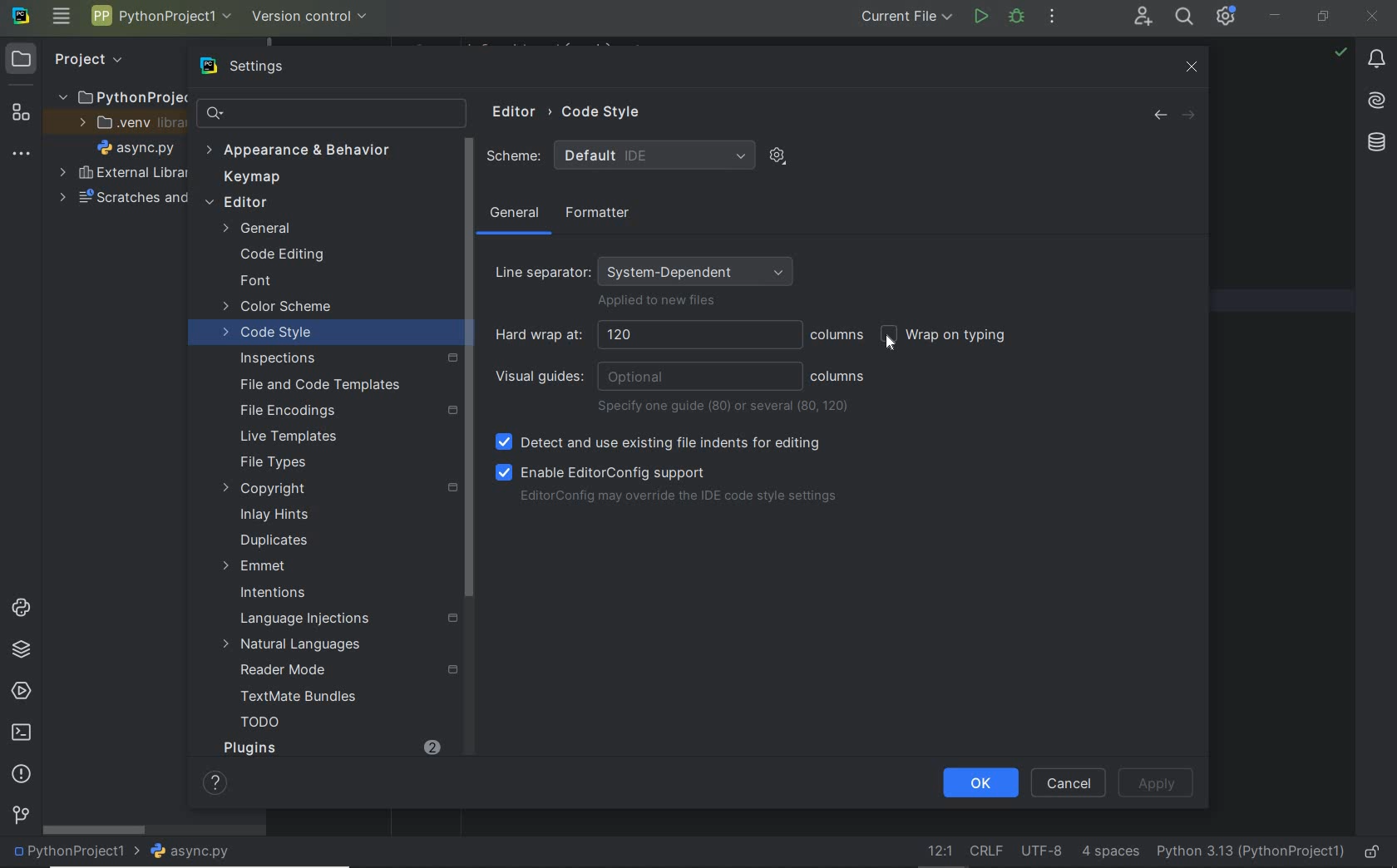 Image resolution: width=1397 pixels, height=868 pixels. What do you see at coordinates (22, 155) in the screenshot?
I see `more tool windows` at bounding box center [22, 155].